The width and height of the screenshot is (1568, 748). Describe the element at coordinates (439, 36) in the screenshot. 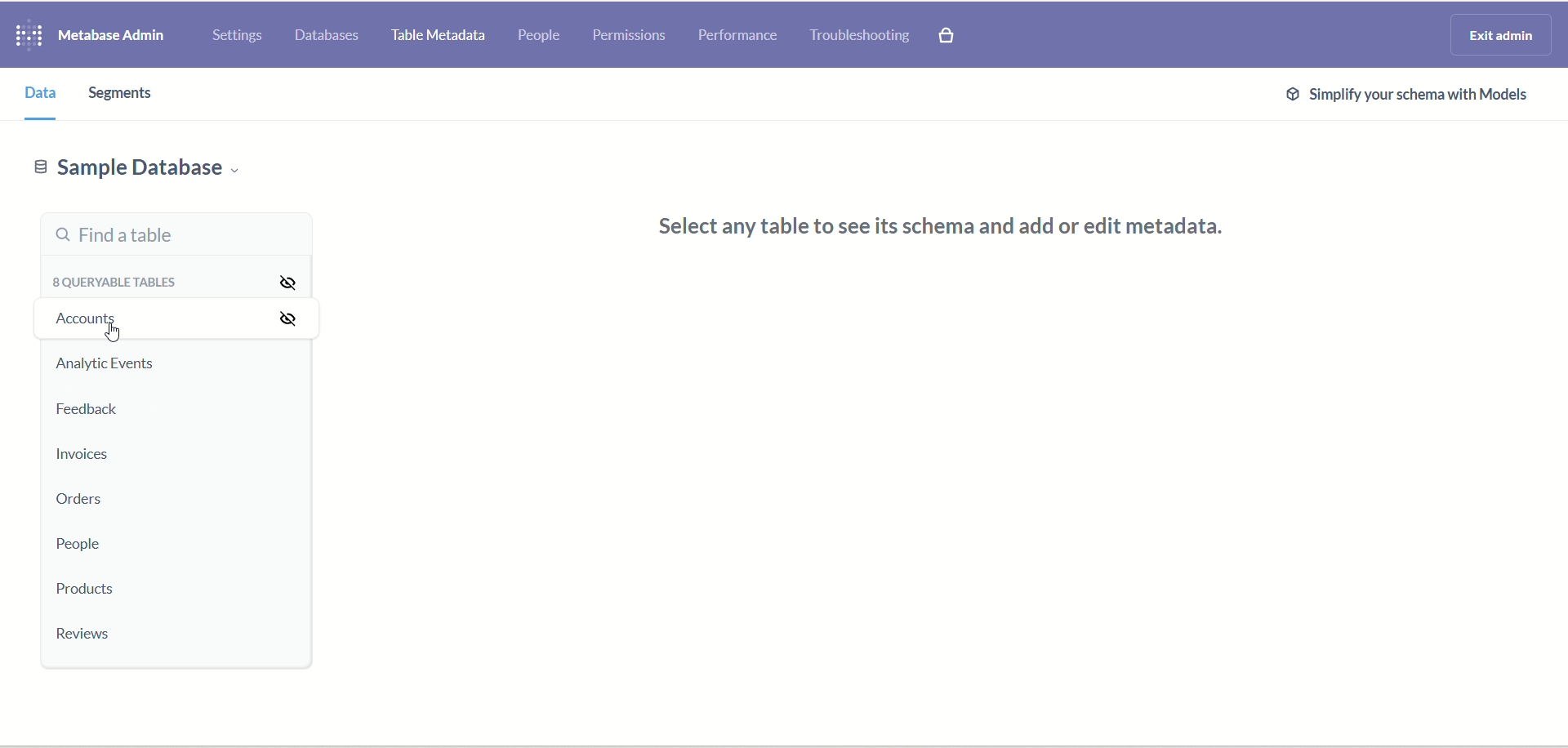

I see `table metadata` at that location.